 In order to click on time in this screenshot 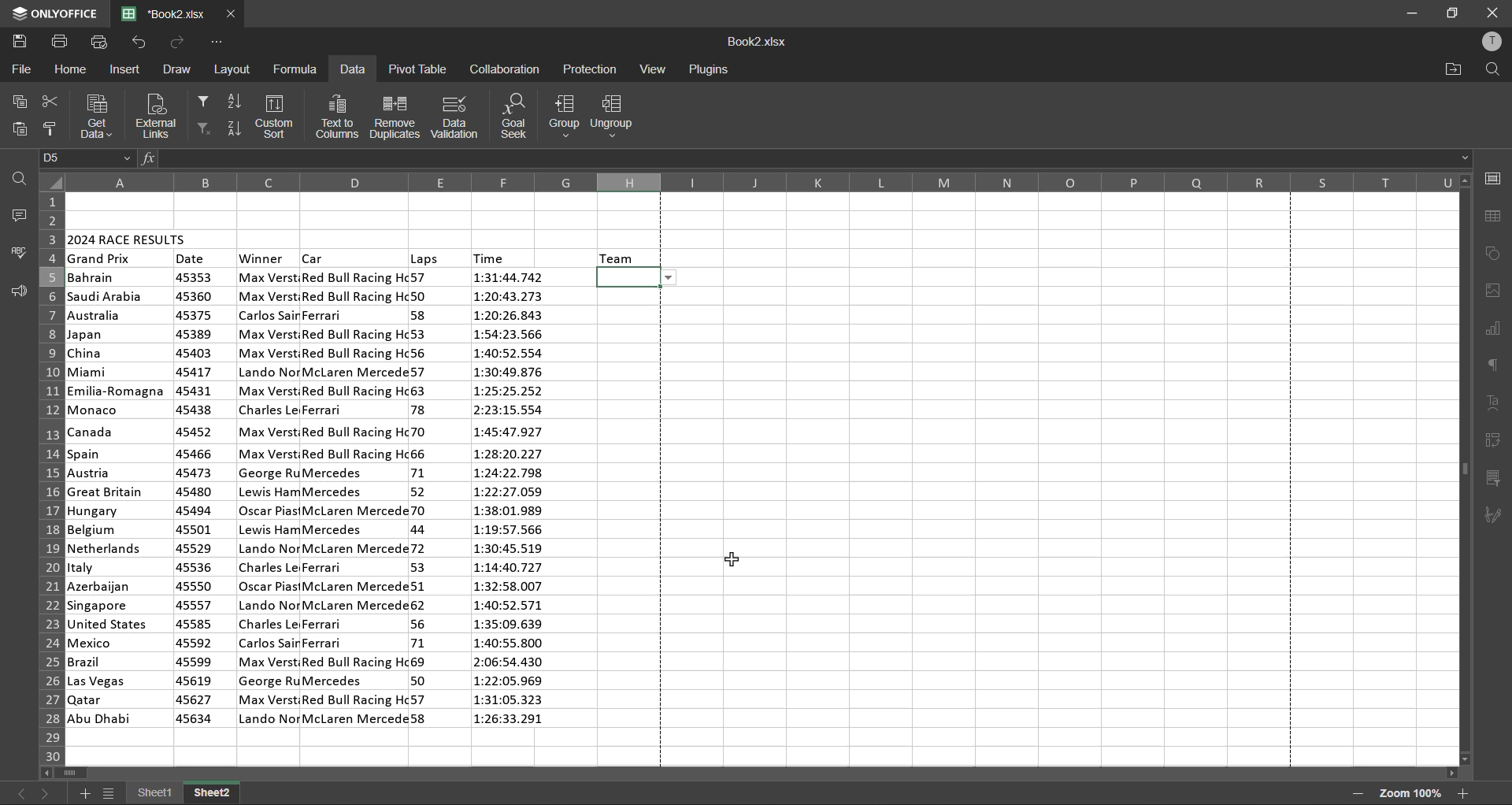, I will do `click(491, 257)`.